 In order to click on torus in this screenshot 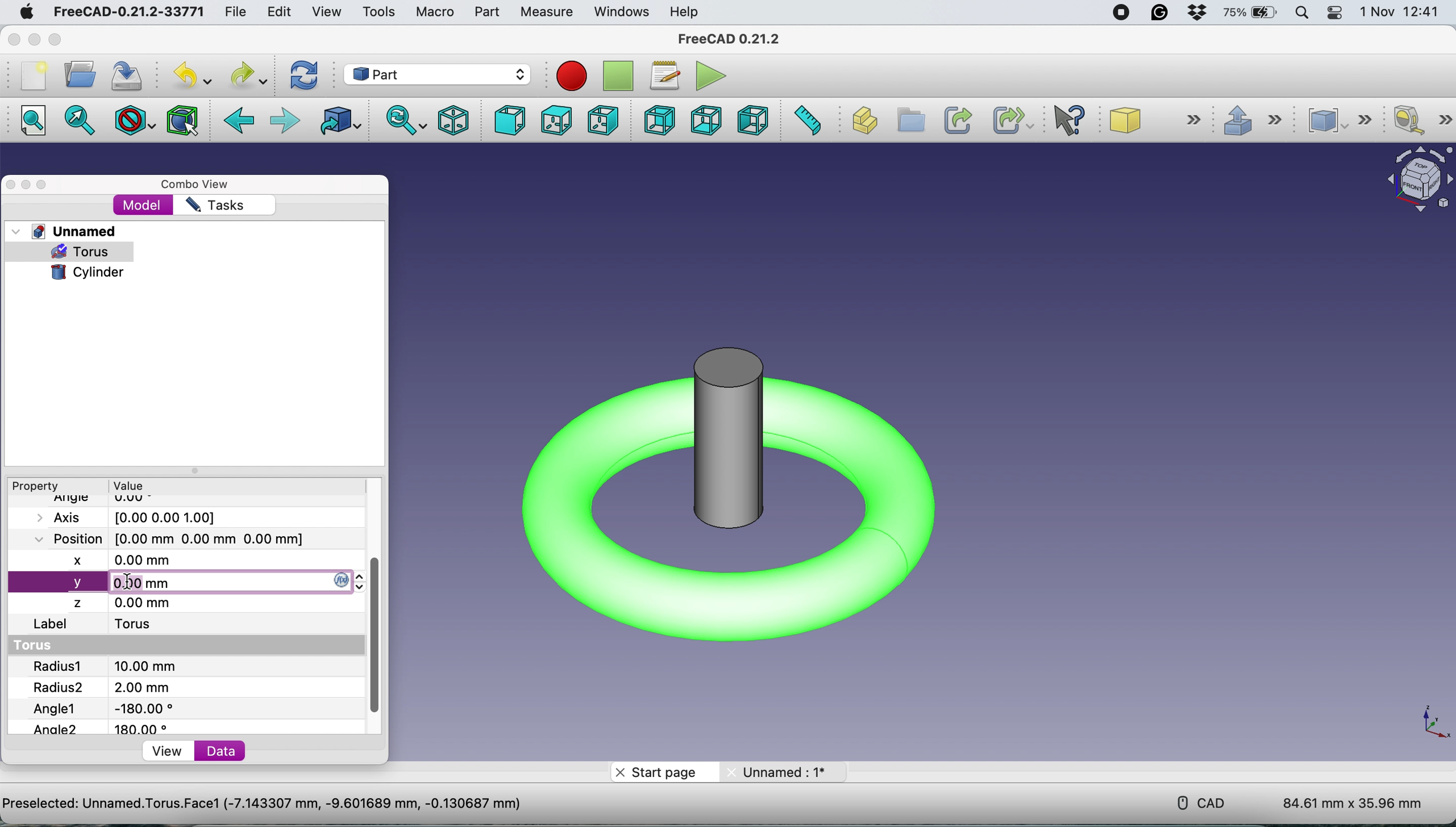, I will do `click(143, 625)`.